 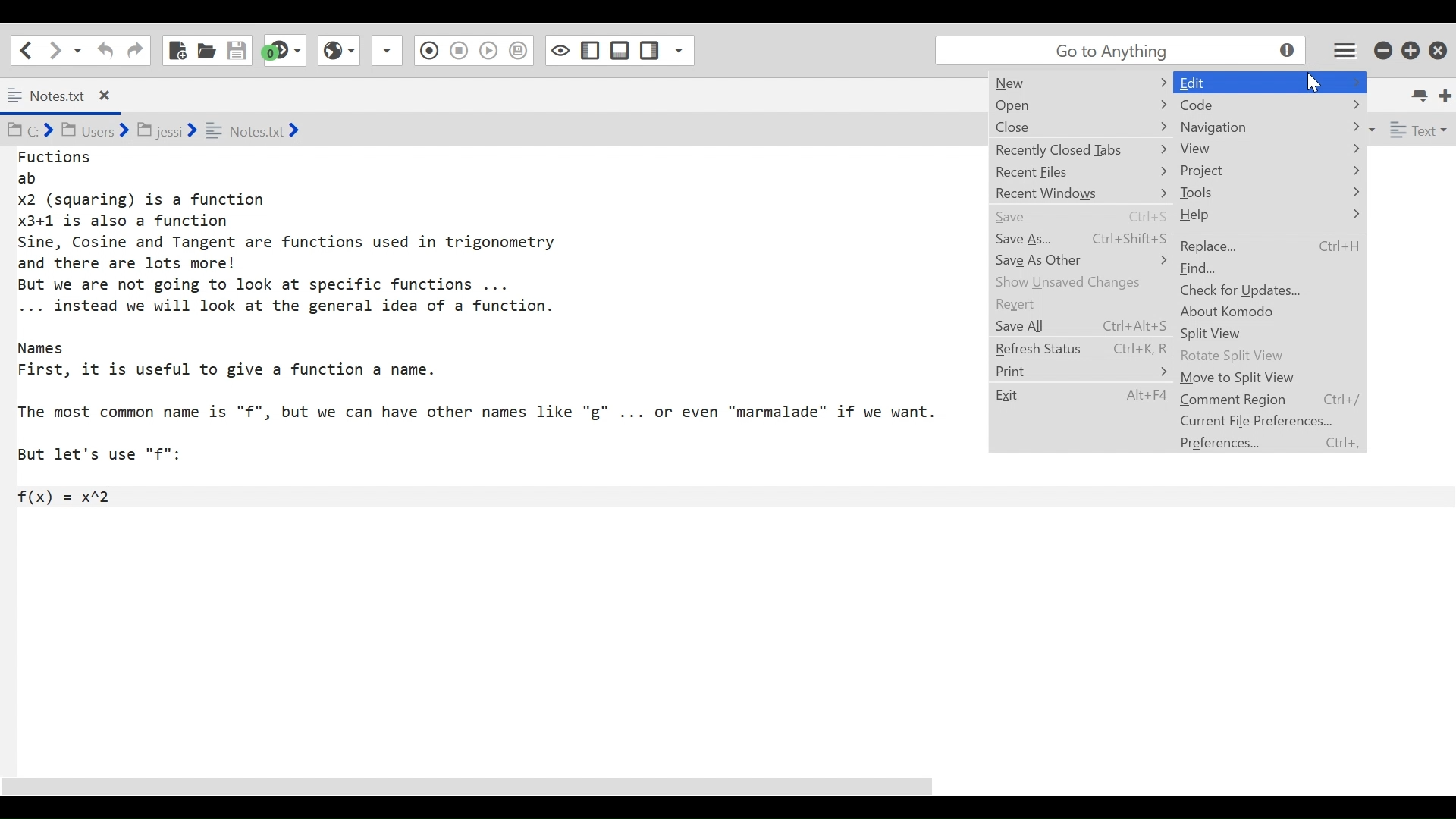 What do you see at coordinates (1213, 268) in the screenshot?
I see `find...` at bounding box center [1213, 268].